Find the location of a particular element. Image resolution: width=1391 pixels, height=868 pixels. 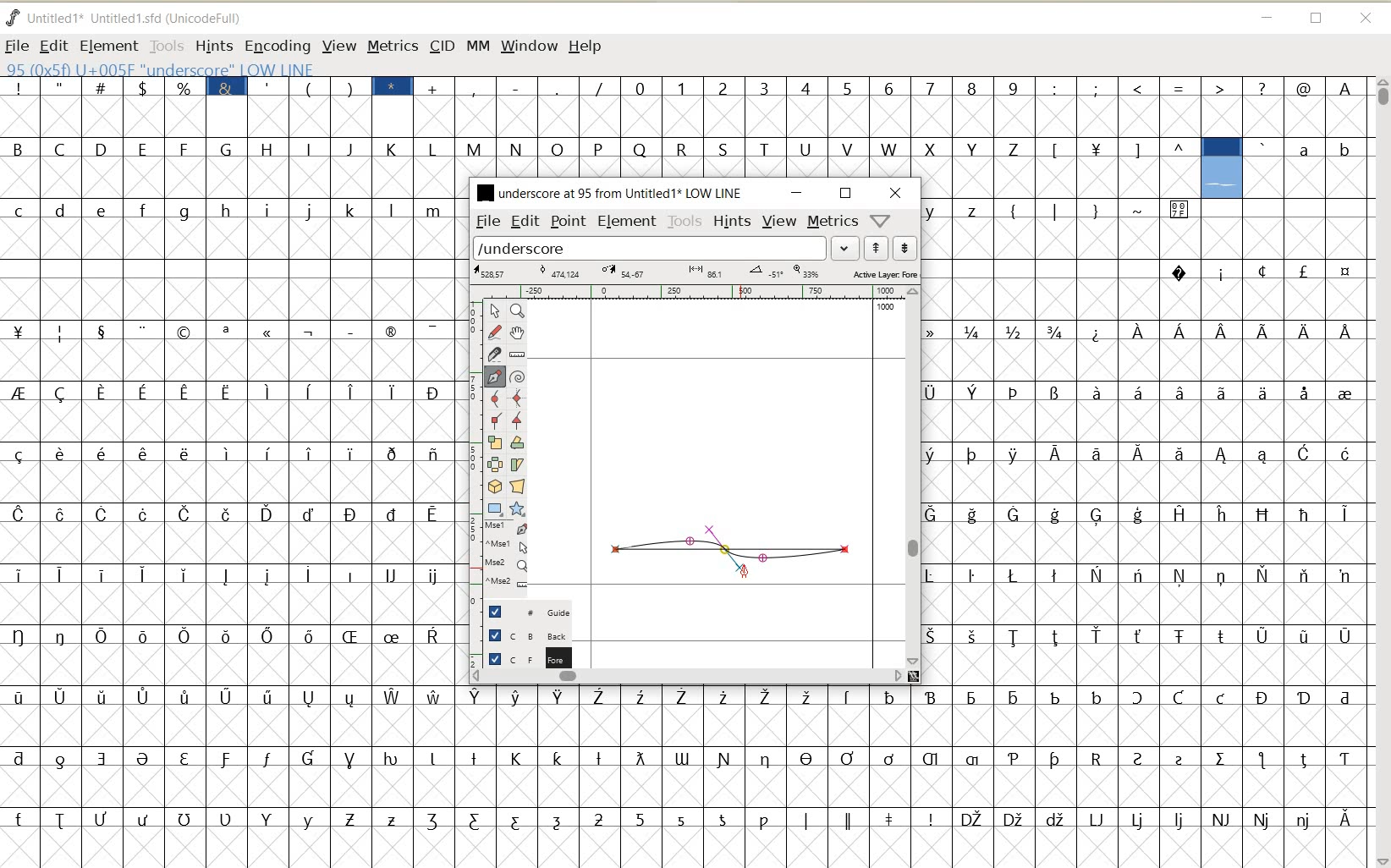

RULER is located at coordinates (690, 292).